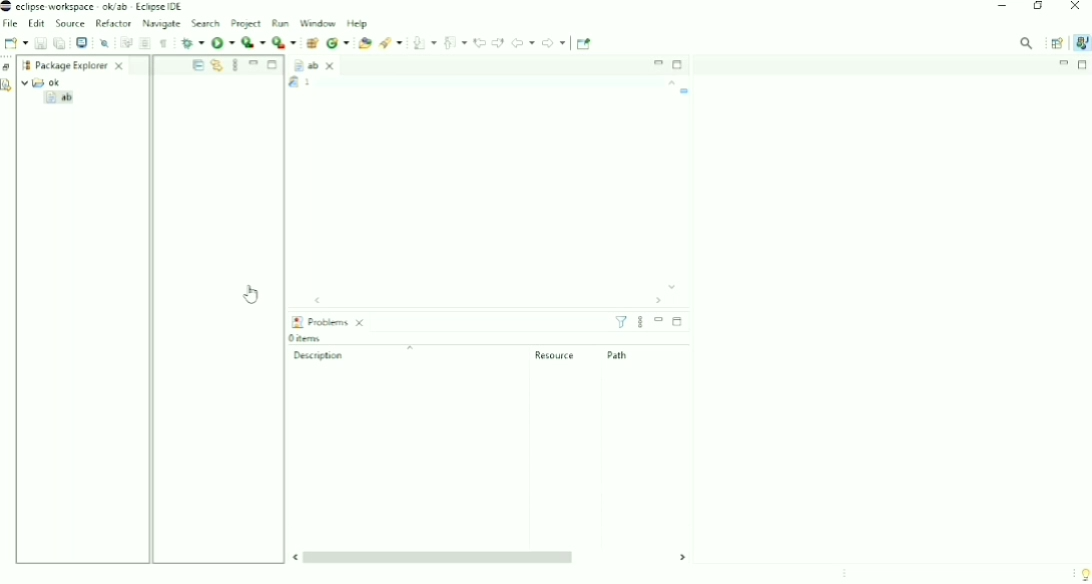 The width and height of the screenshot is (1092, 584). I want to click on Minimize, so click(657, 62).